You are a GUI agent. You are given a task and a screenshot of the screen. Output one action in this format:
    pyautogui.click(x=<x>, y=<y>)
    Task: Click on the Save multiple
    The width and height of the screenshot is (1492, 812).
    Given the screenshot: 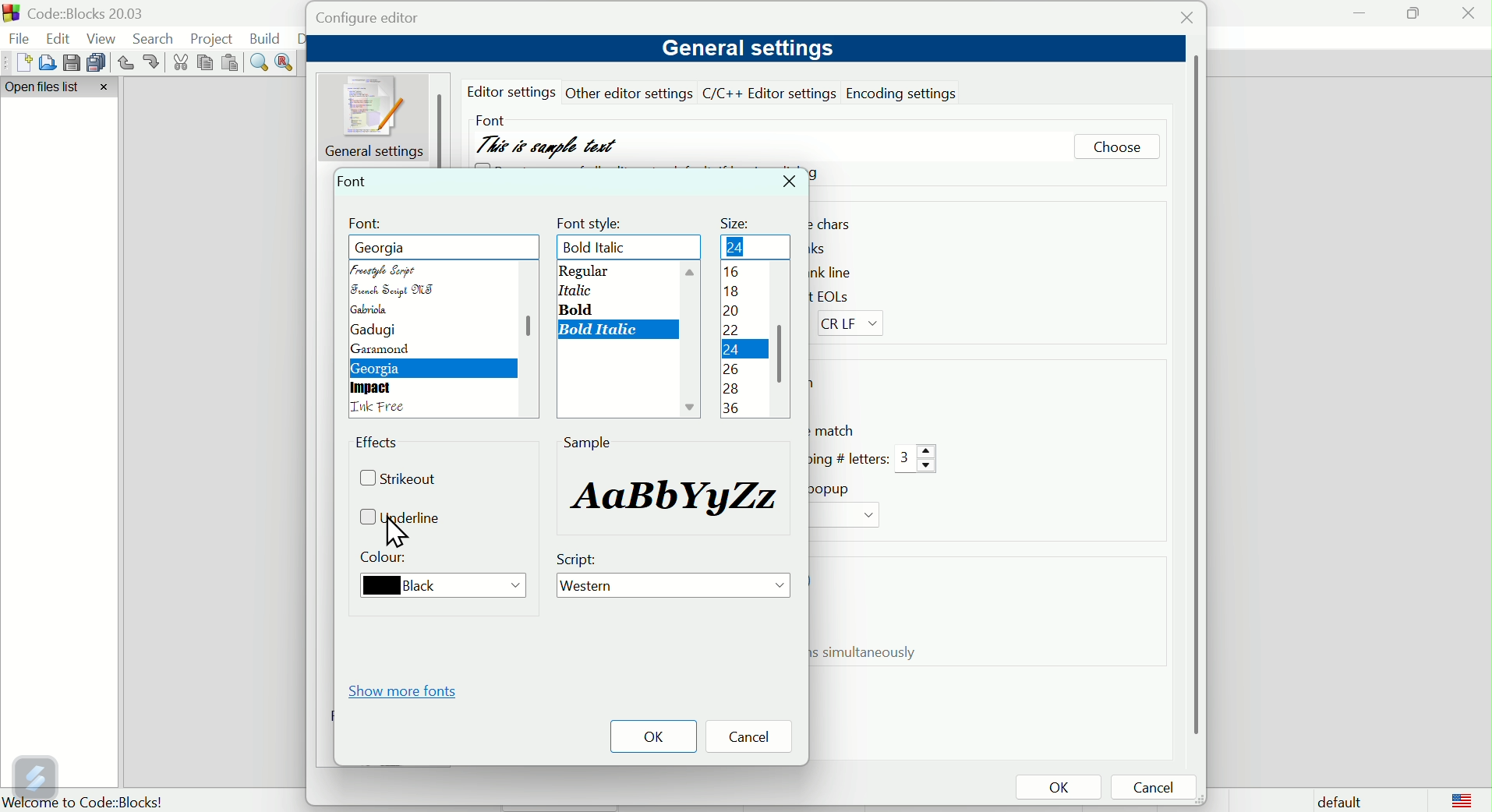 What is the action you would take?
    pyautogui.click(x=97, y=62)
    